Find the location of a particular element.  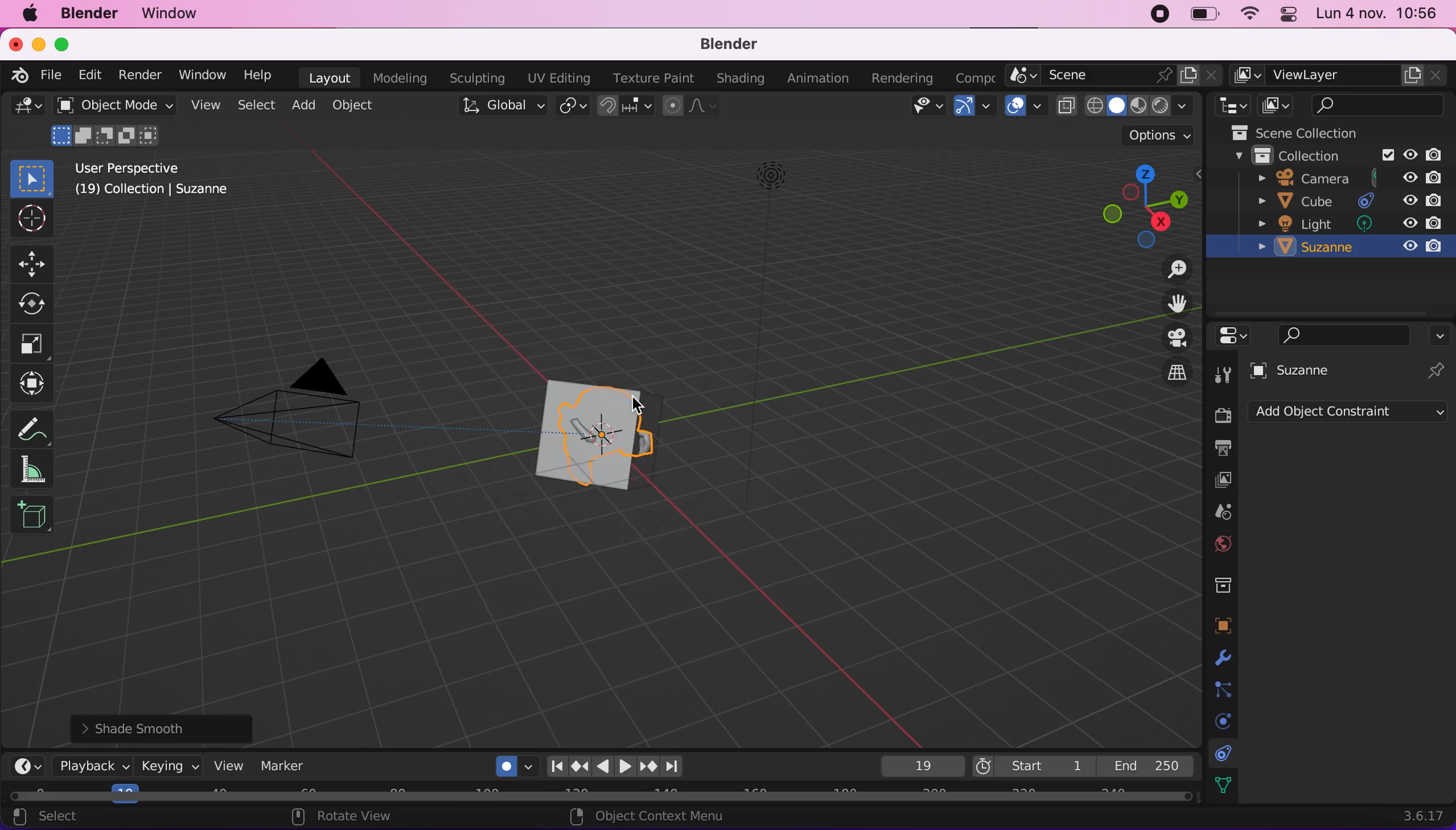

add is located at coordinates (303, 104).